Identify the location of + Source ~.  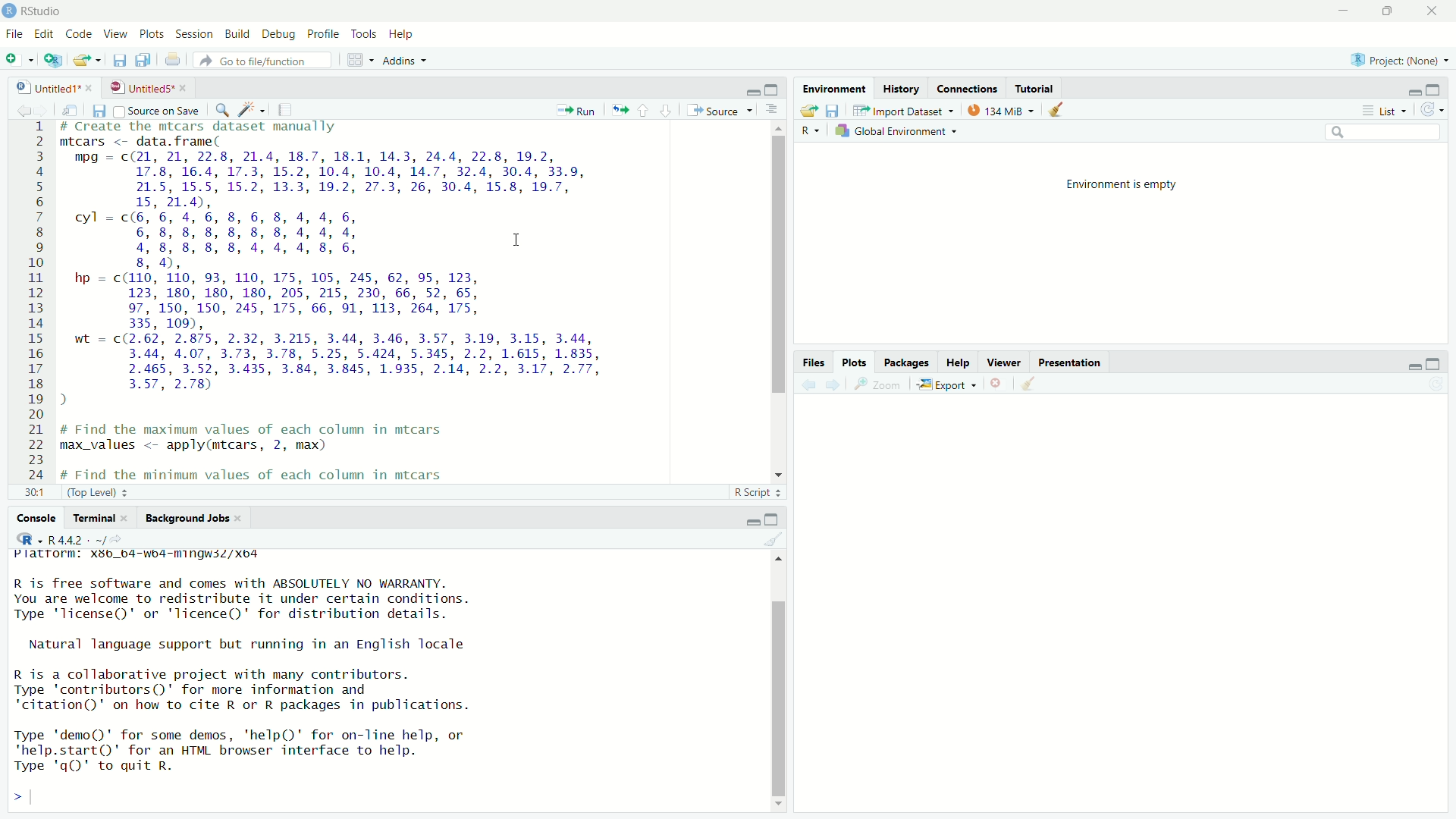
(718, 110).